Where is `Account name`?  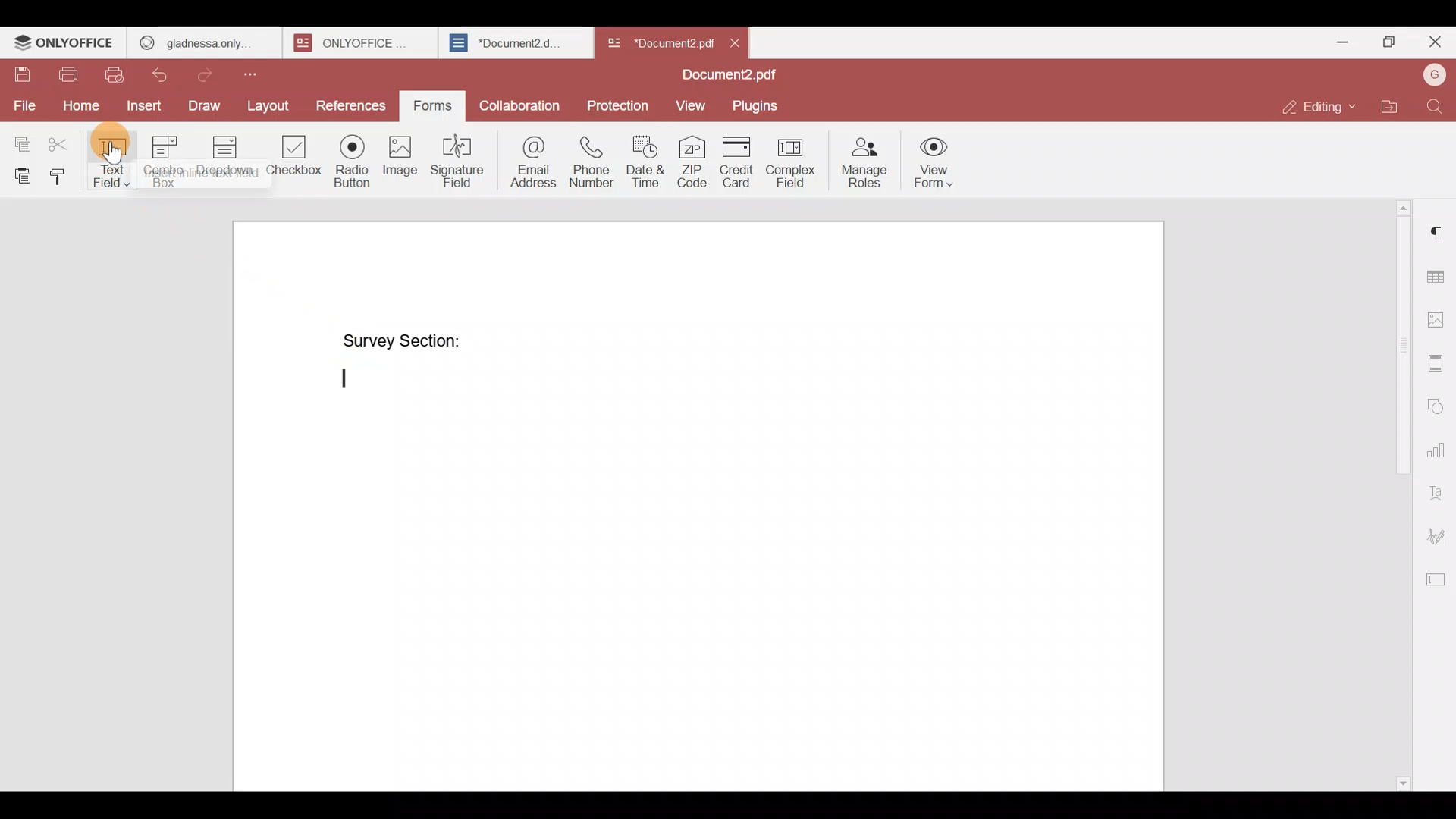
Account name is located at coordinates (1434, 75).